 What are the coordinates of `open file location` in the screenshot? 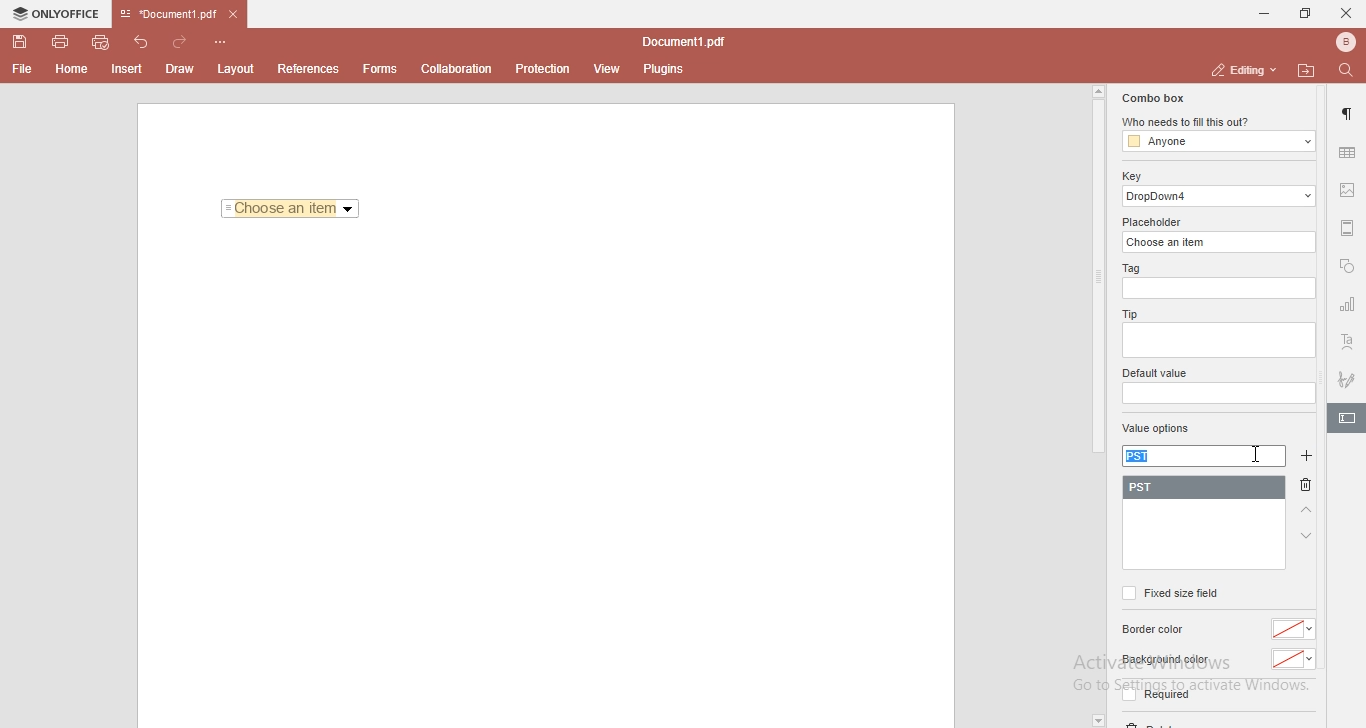 It's located at (1309, 70).